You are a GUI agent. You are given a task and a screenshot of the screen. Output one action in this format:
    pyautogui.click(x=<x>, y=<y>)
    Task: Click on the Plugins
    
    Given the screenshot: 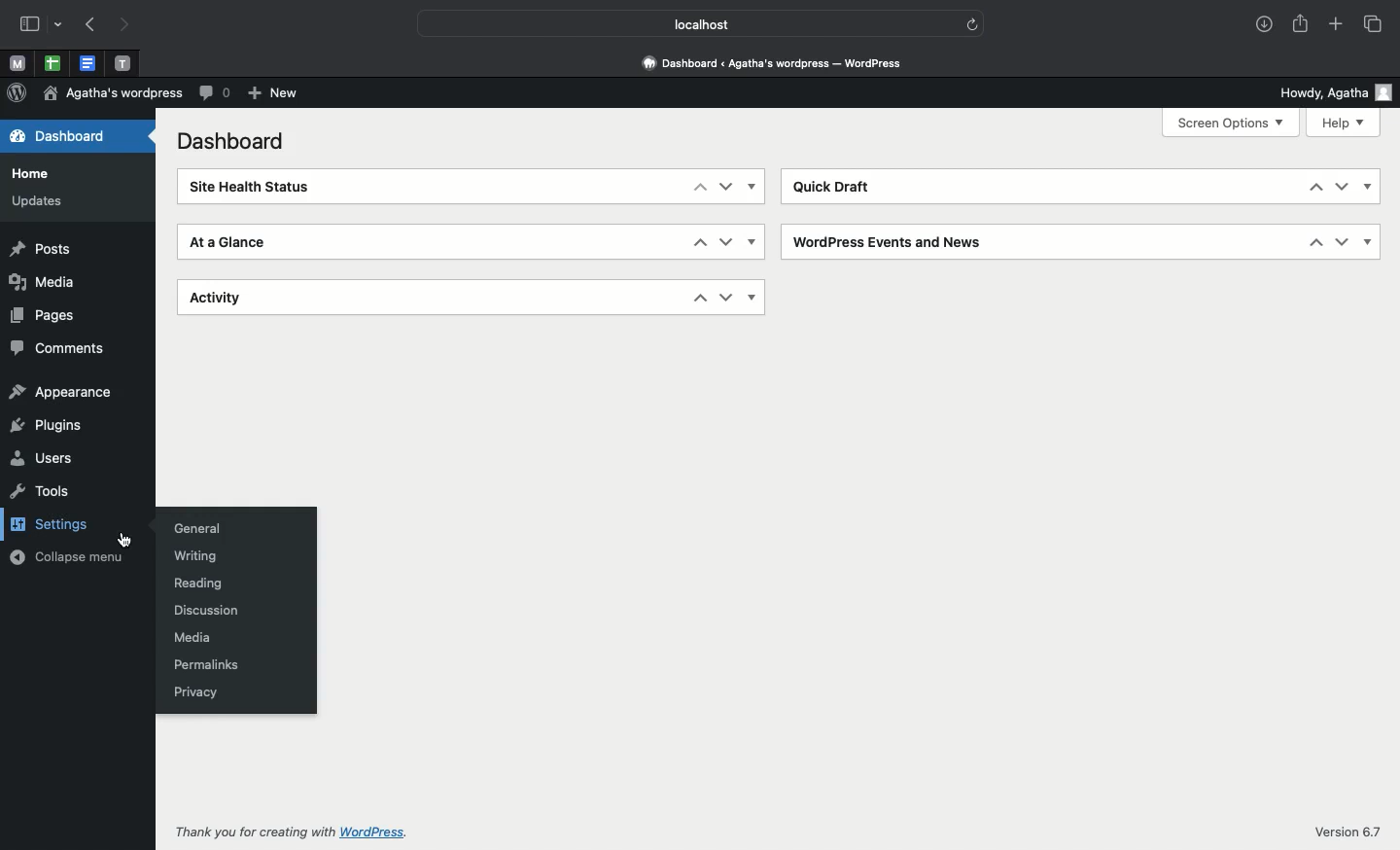 What is the action you would take?
    pyautogui.click(x=50, y=427)
    